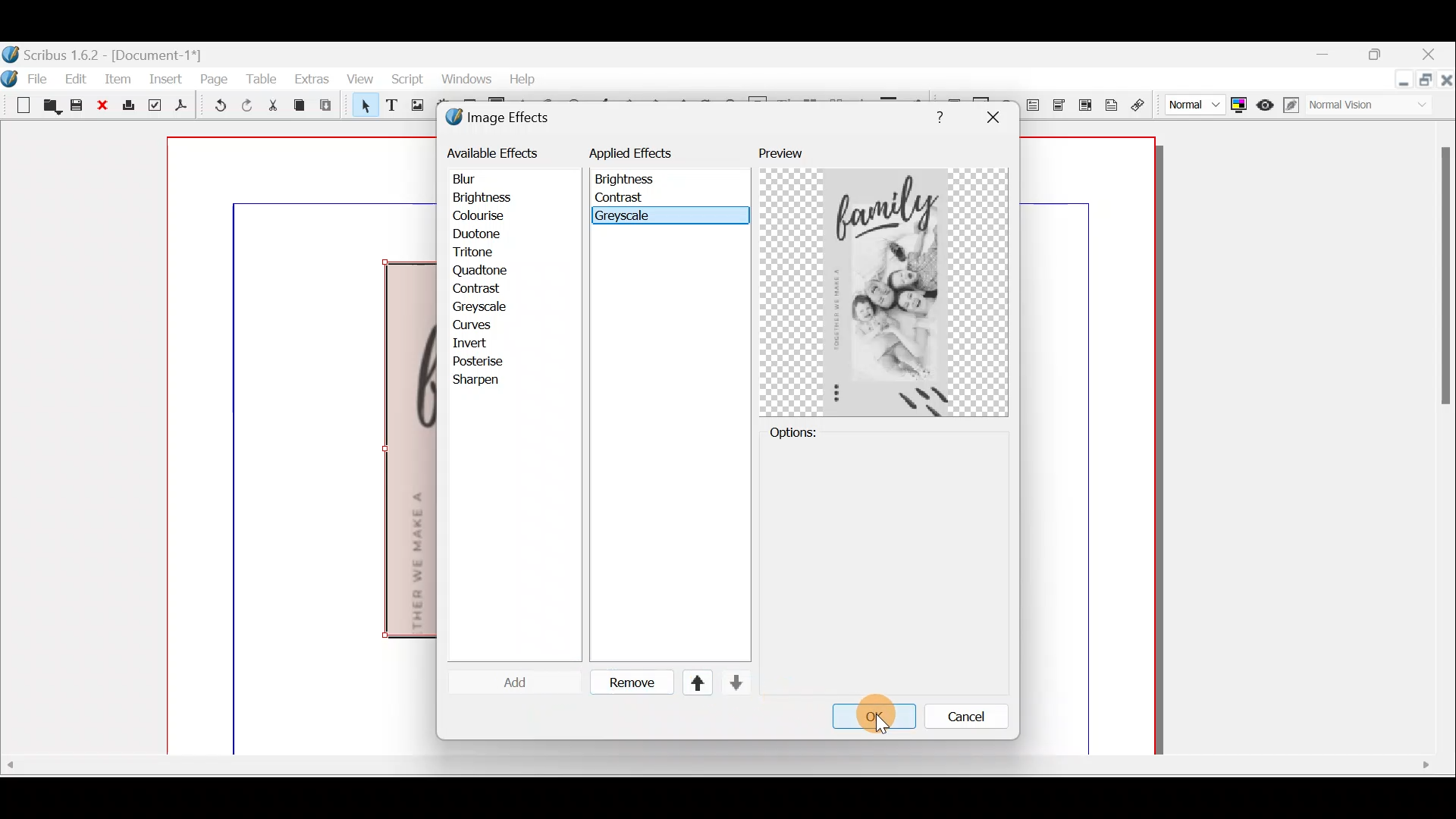 Image resolution: width=1456 pixels, height=819 pixels. Describe the element at coordinates (1144, 106) in the screenshot. I see `Link annotation` at that location.